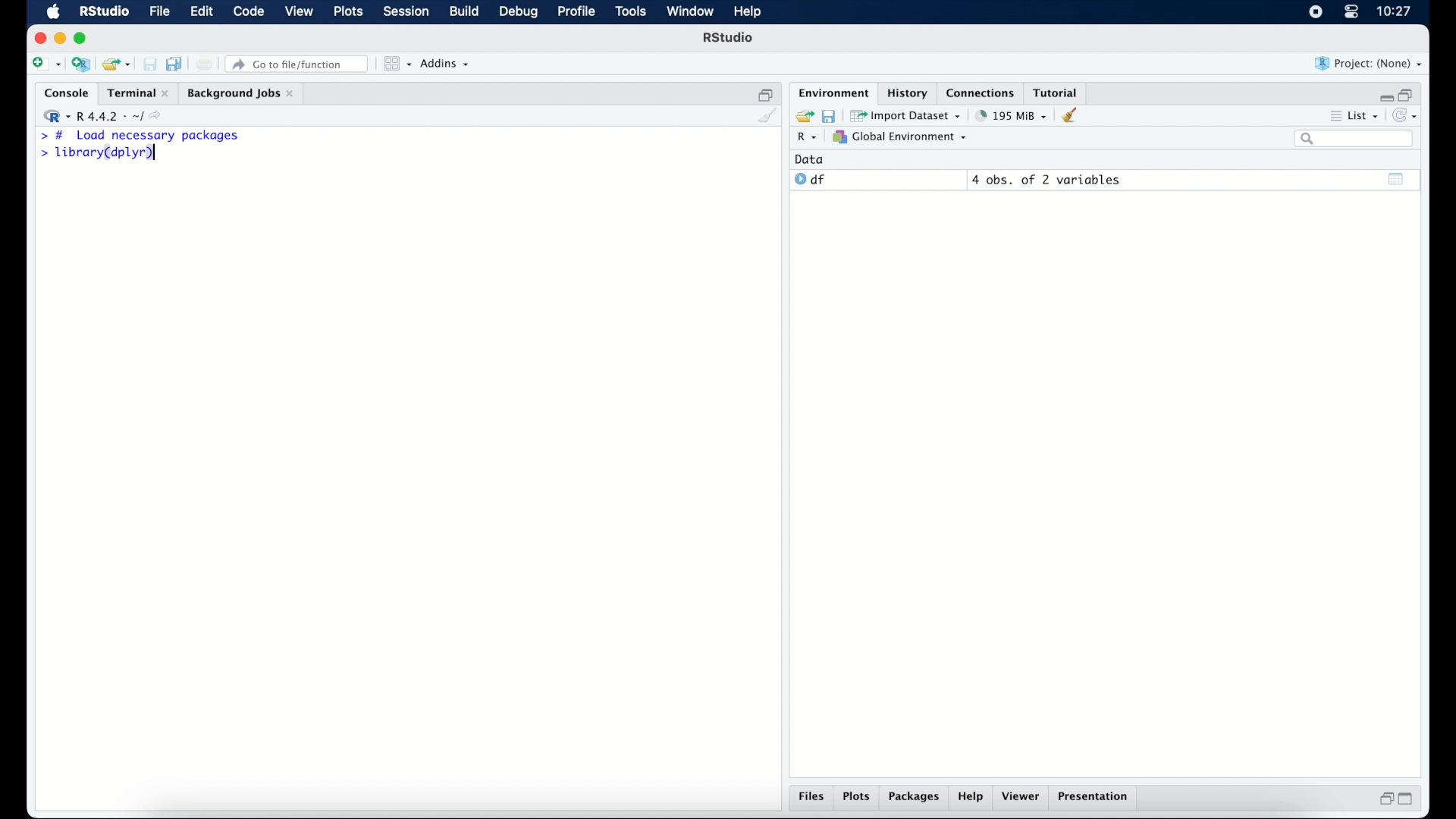  I want to click on global environment, so click(900, 137).